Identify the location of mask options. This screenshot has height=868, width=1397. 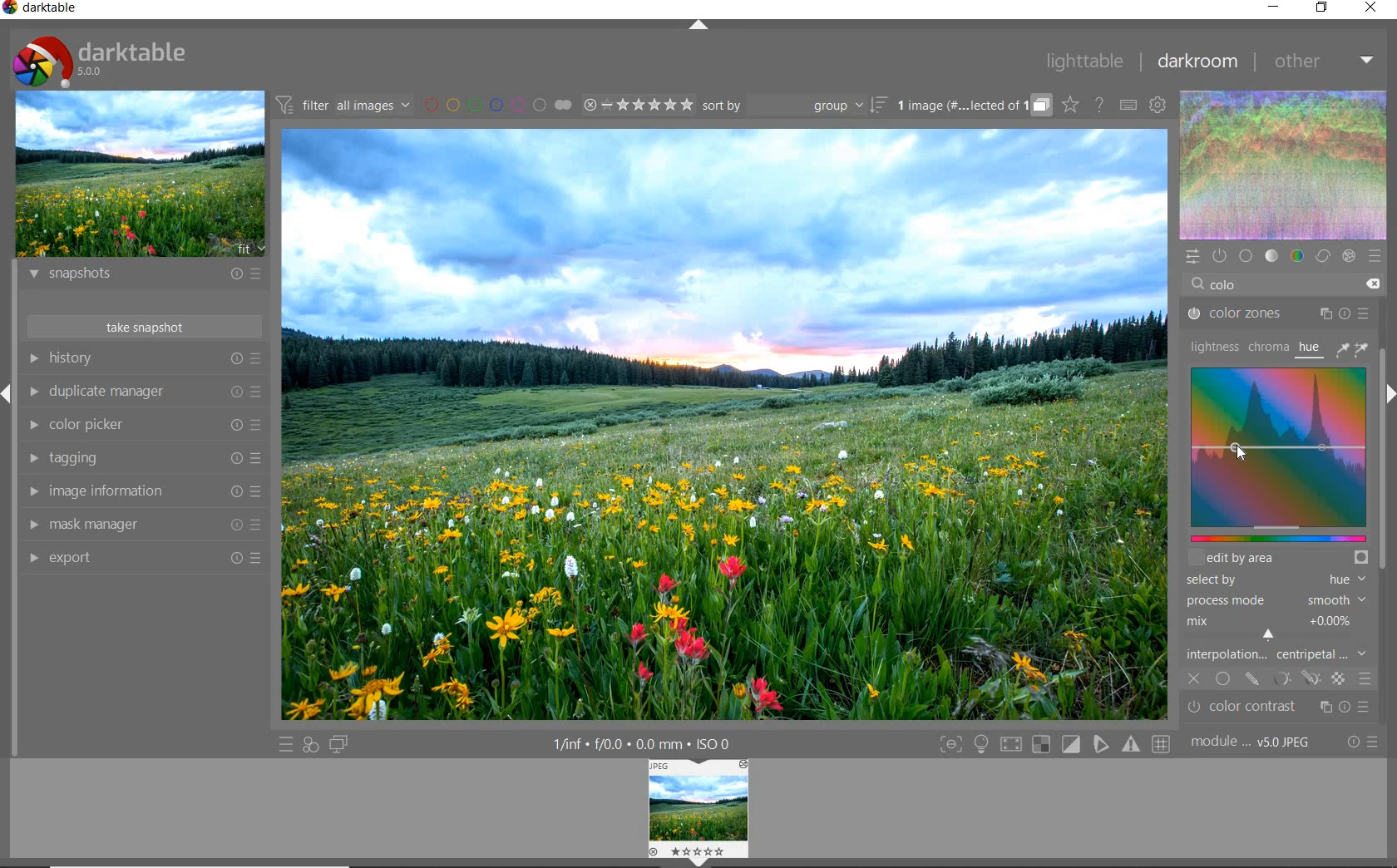
(1296, 679).